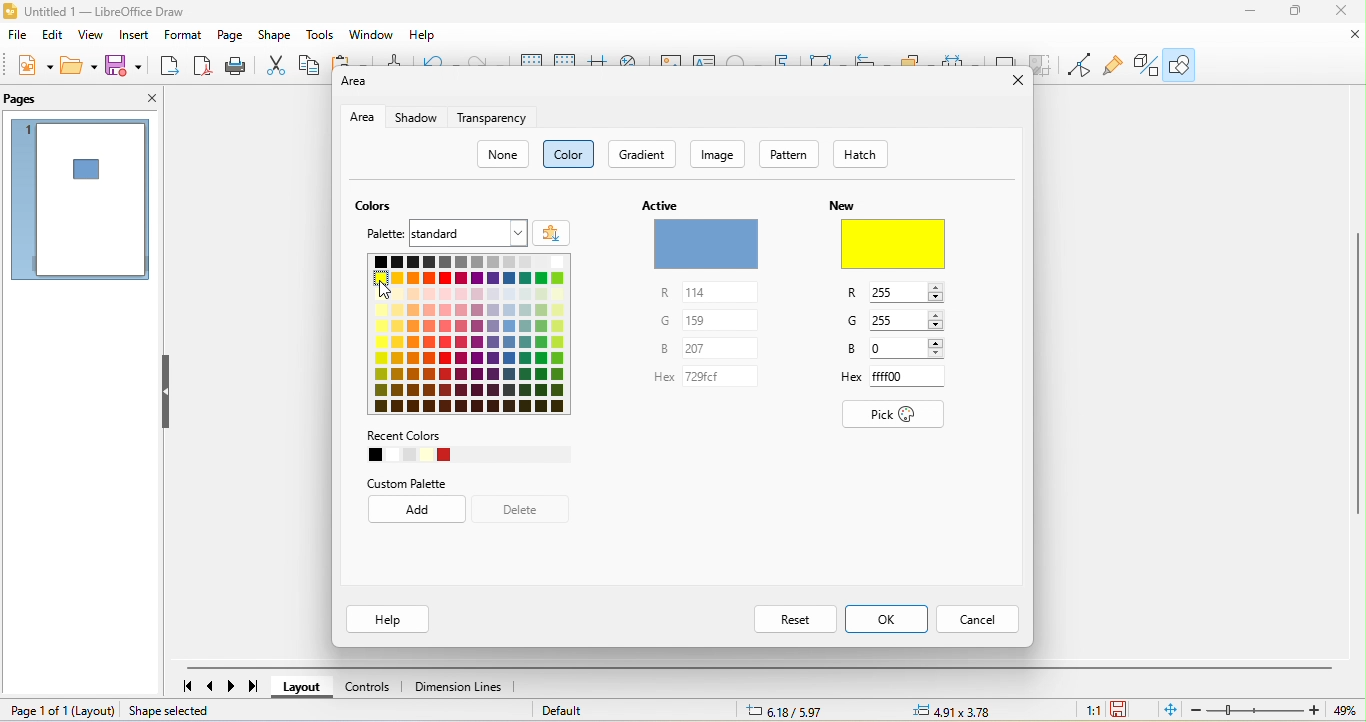  Describe the element at coordinates (707, 234) in the screenshot. I see `active` at that location.